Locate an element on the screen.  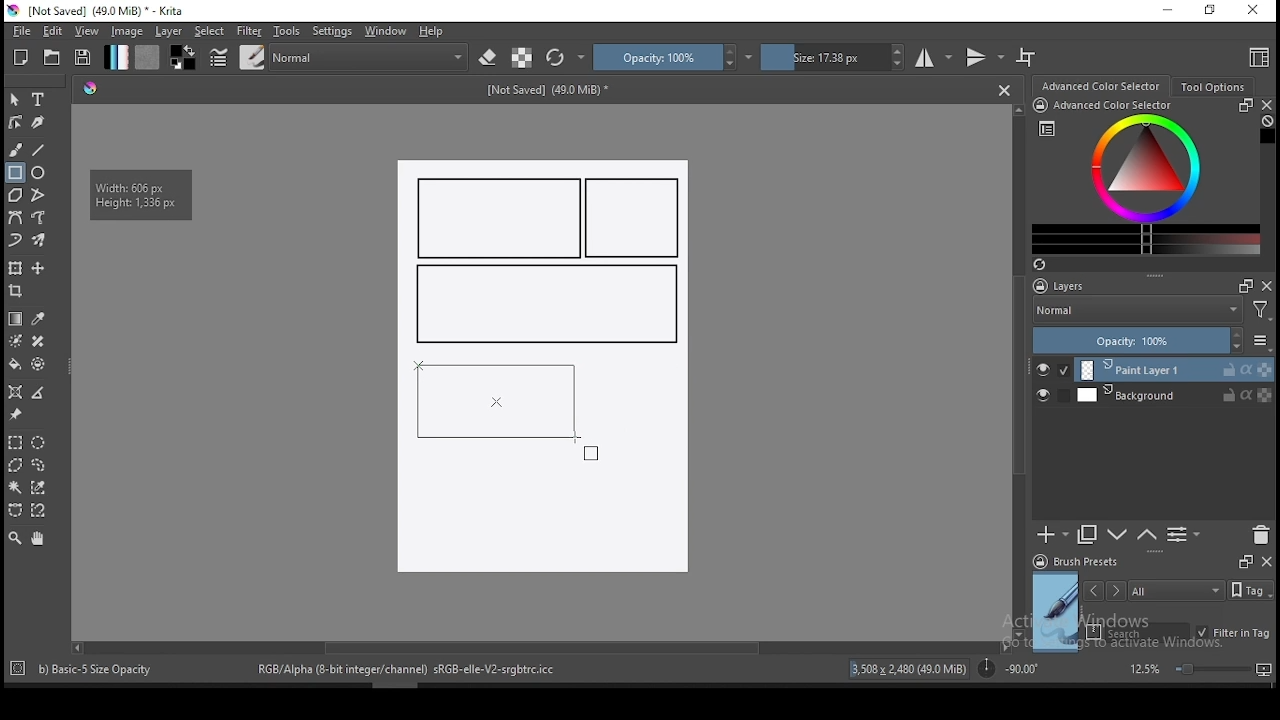
close docker is located at coordinates (1267, 285).